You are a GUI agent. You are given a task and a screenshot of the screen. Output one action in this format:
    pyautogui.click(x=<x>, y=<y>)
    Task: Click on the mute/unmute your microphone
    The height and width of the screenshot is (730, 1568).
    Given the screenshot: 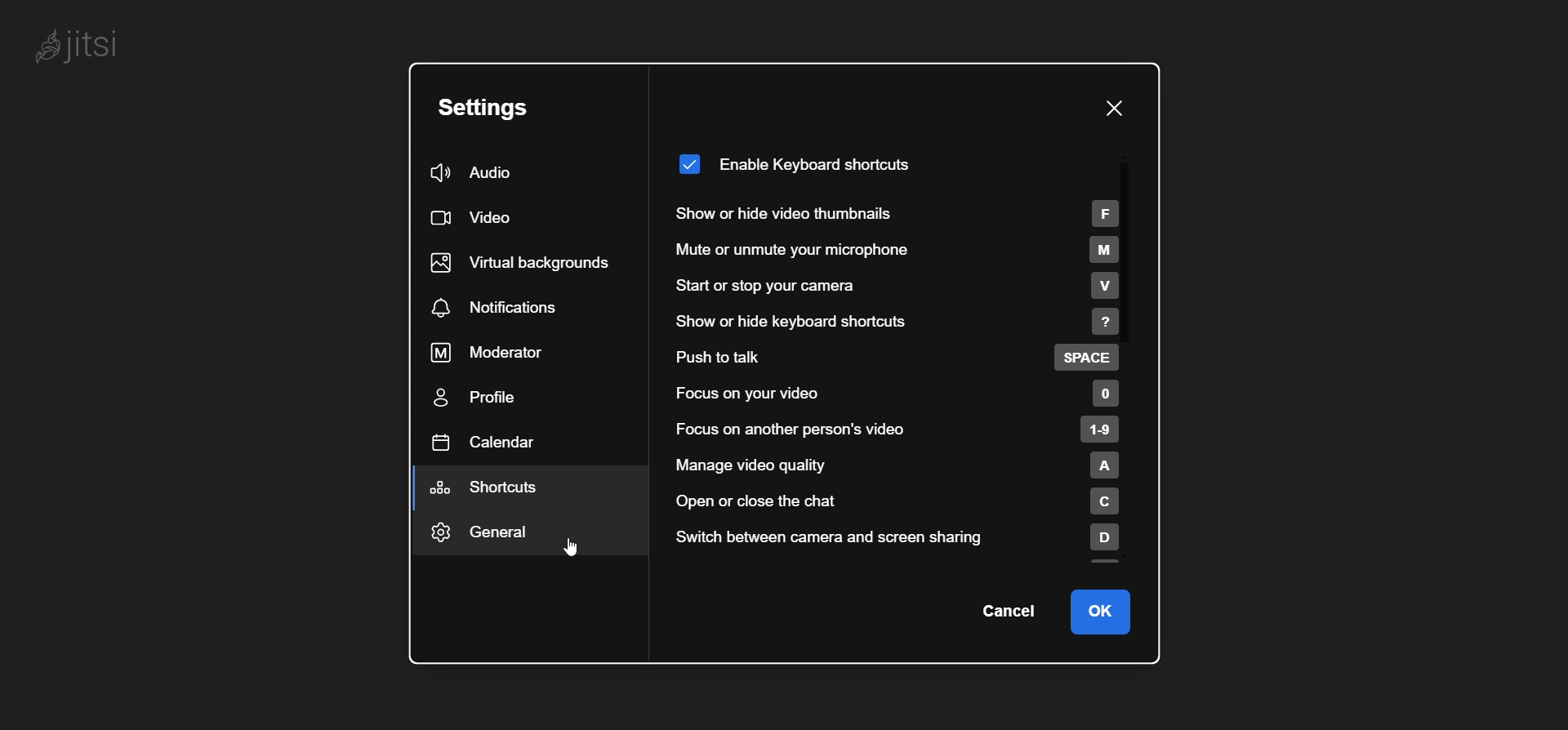 What is the action you would take?
    pyautogui.click(x=897, y=251)
    